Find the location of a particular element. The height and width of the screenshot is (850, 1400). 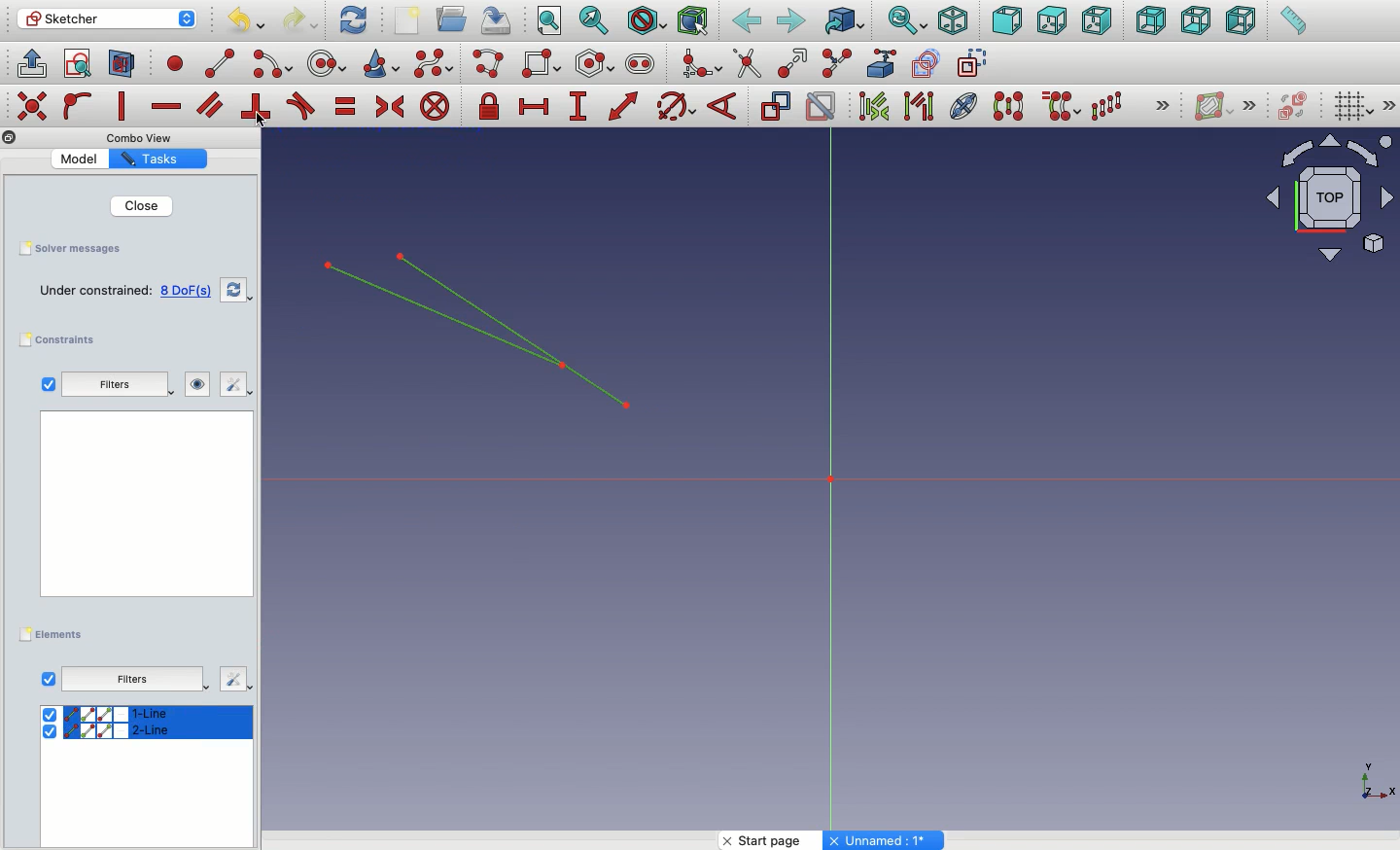

Switch virtual place is located at coordinates (1294, 106).